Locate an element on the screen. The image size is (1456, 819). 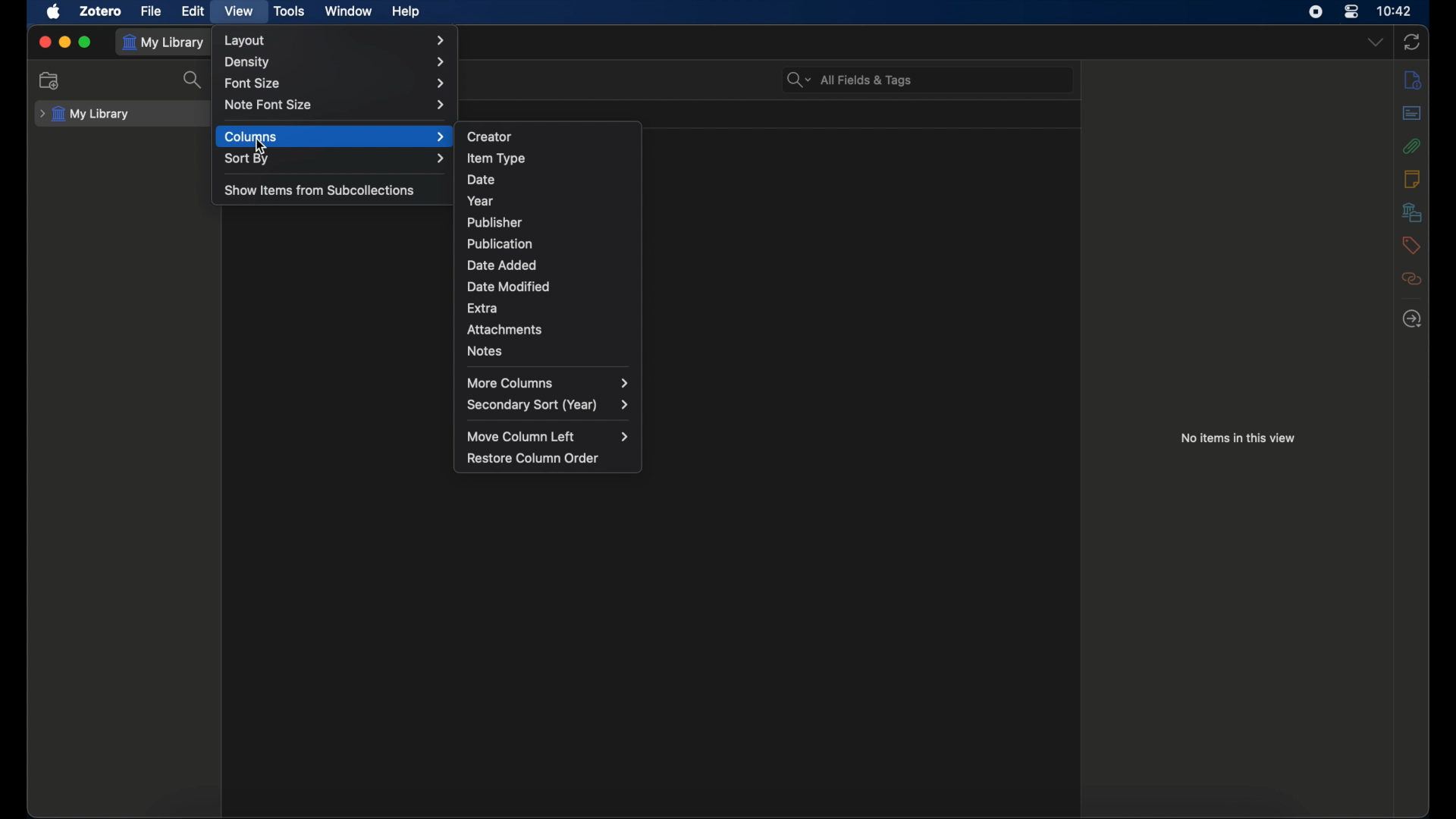
locate is located at coordinates (1412, 319).